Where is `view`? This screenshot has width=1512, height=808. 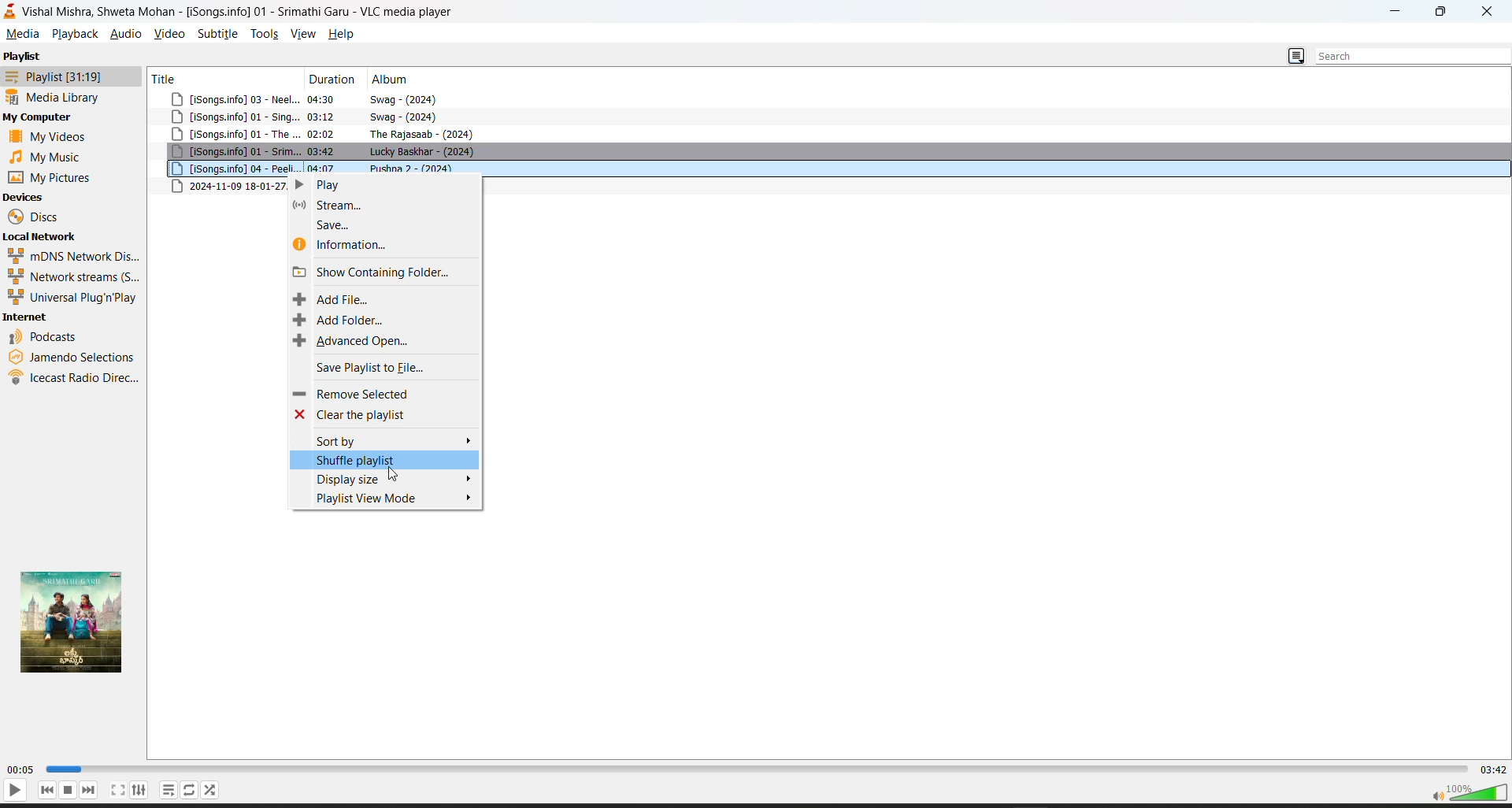
view is located at coordinates (305, 34).